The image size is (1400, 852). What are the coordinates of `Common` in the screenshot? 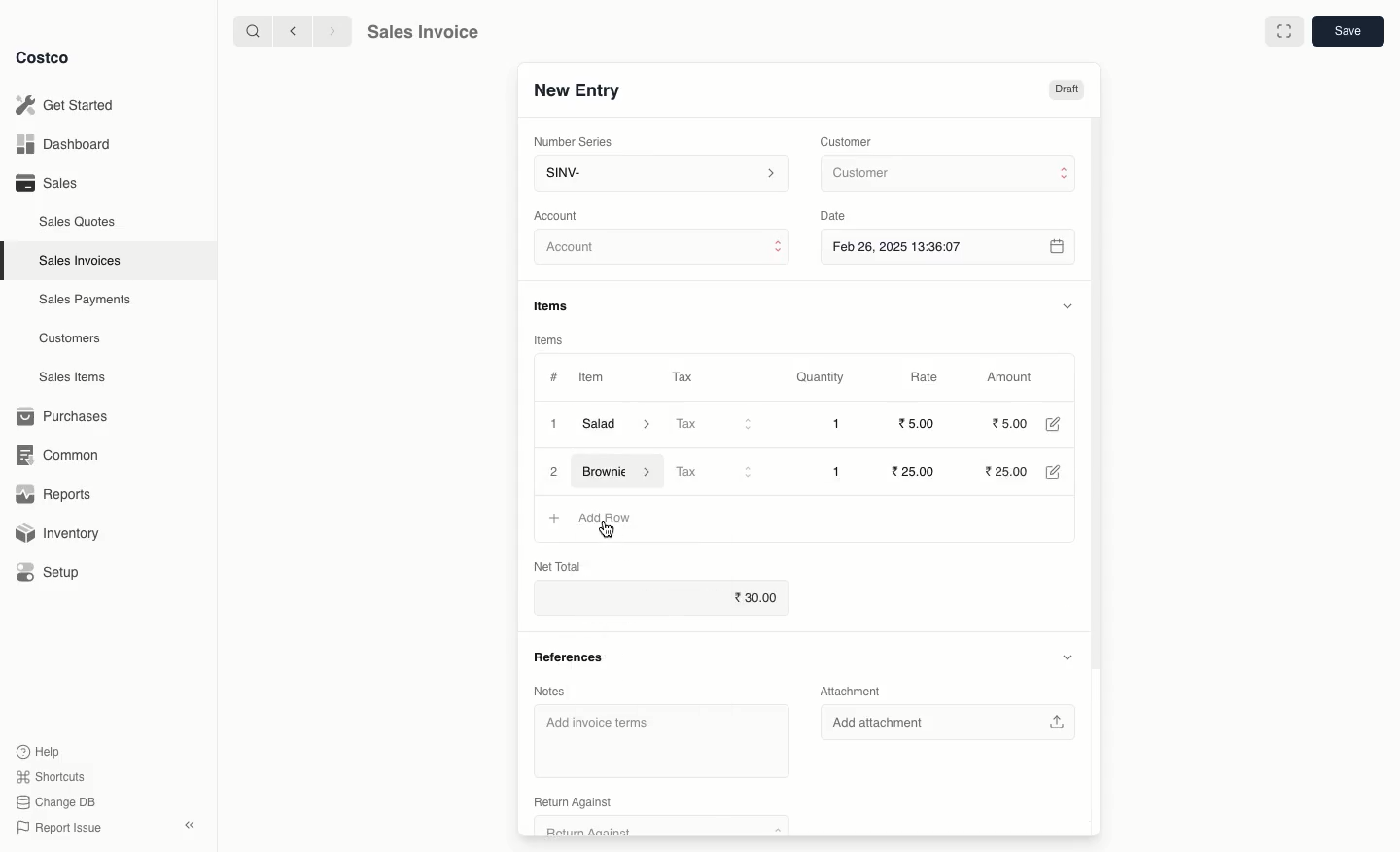 It's located at (66, 455).